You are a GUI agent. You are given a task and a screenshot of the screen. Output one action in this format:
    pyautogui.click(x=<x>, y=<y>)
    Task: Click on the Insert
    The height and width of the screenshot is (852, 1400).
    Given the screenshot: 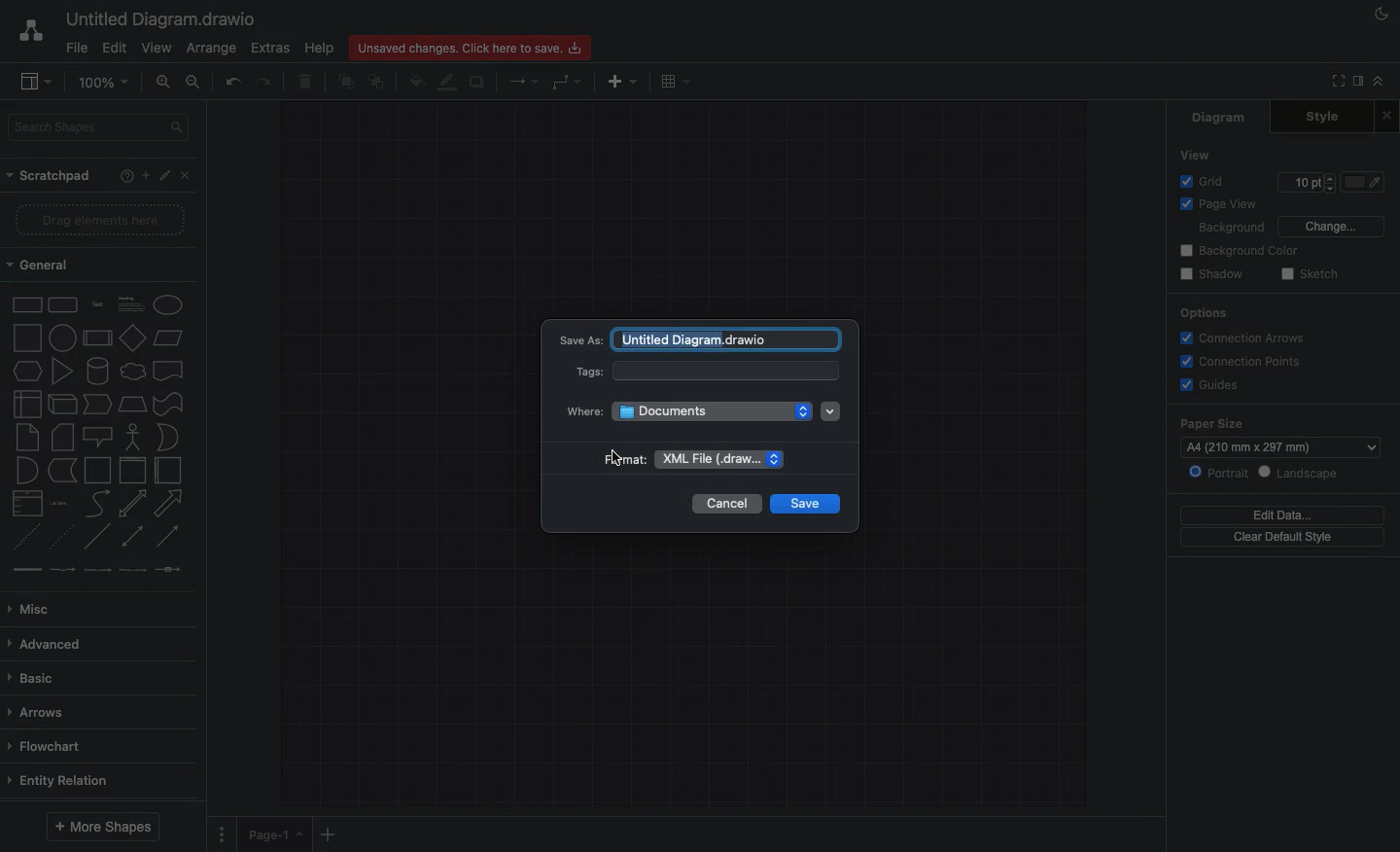 What is the action you would take?
    pyautogui.click(x=620, y=83)
    